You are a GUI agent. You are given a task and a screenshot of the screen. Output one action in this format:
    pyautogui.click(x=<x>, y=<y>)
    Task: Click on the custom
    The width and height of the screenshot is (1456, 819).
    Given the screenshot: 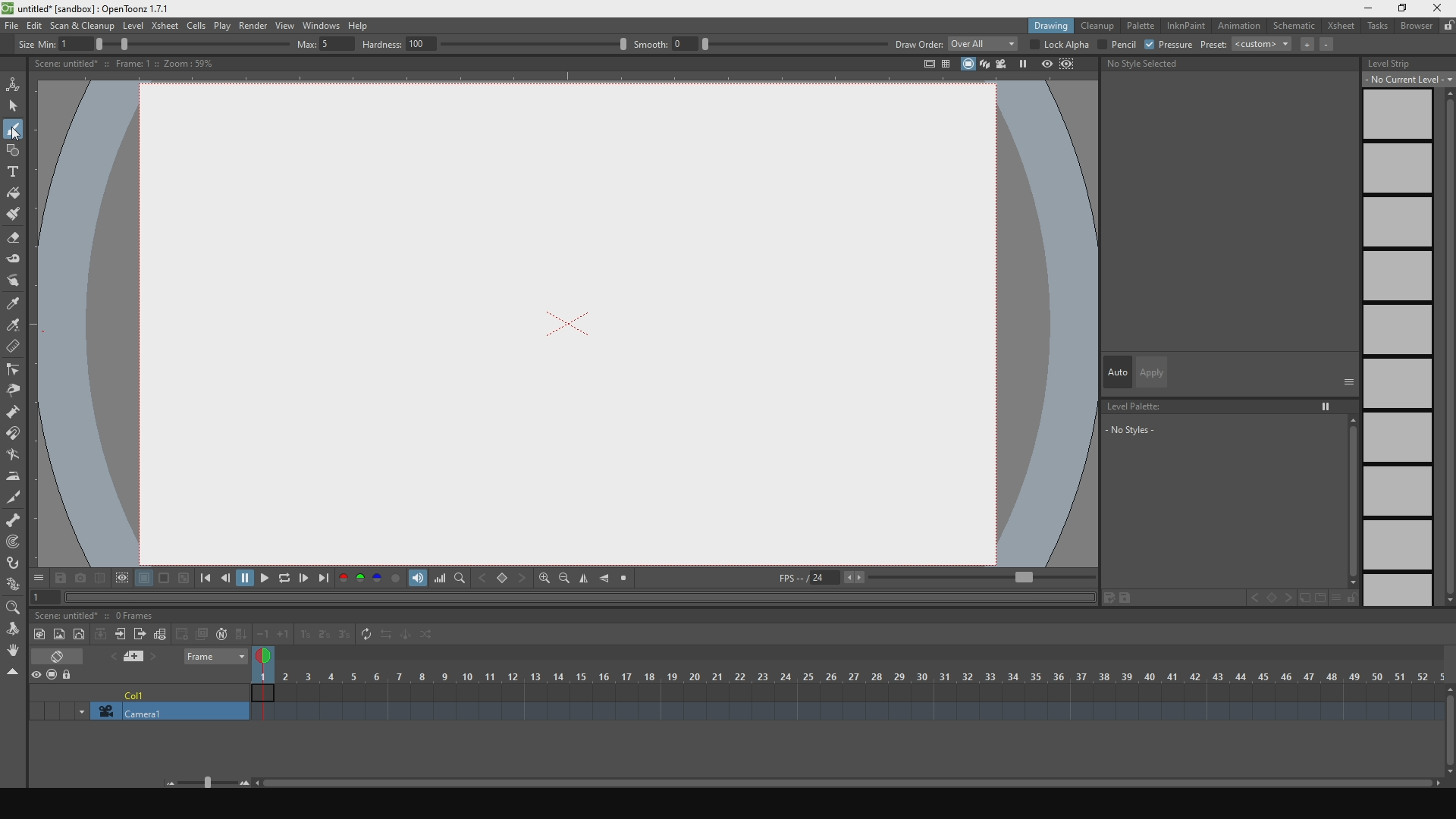 What is the action you would take?
    pyautogui.click(x=1262, y=48)
    